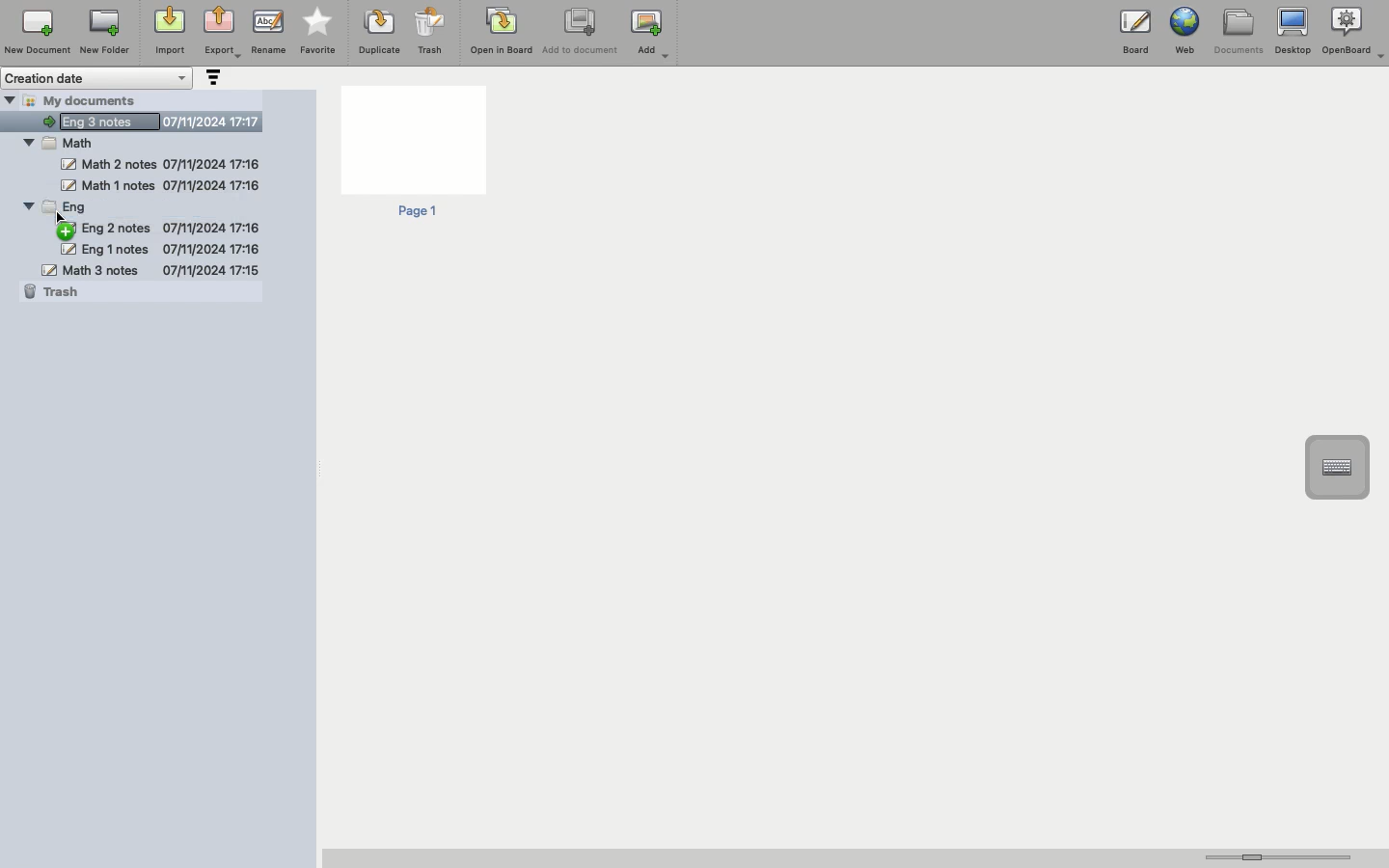  Describe the element at coordinates (27, 205) in the screenshot. I see `Hide` at that location.